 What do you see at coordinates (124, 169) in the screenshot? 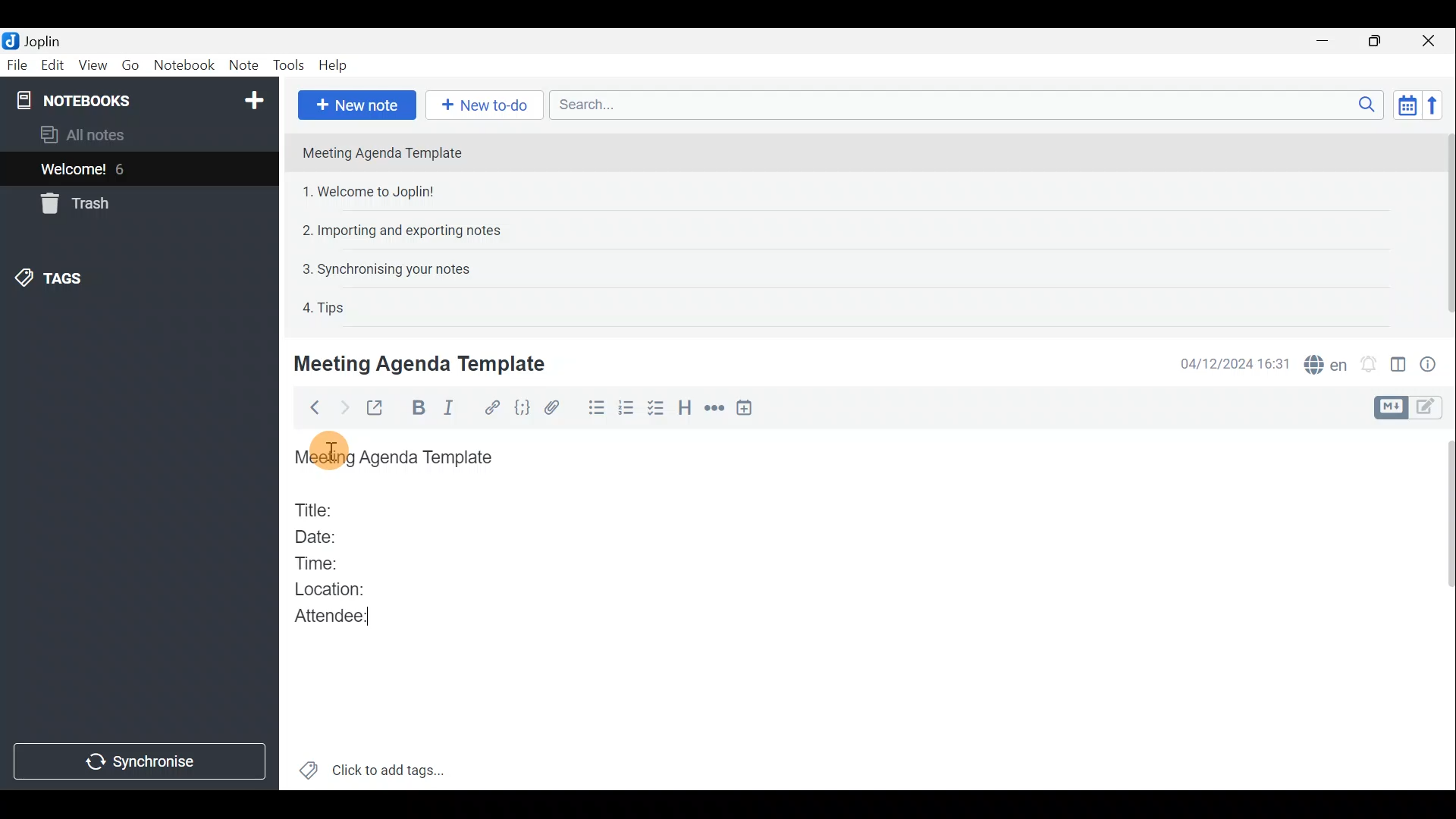
I see `6` at bounding box center [124, 169].